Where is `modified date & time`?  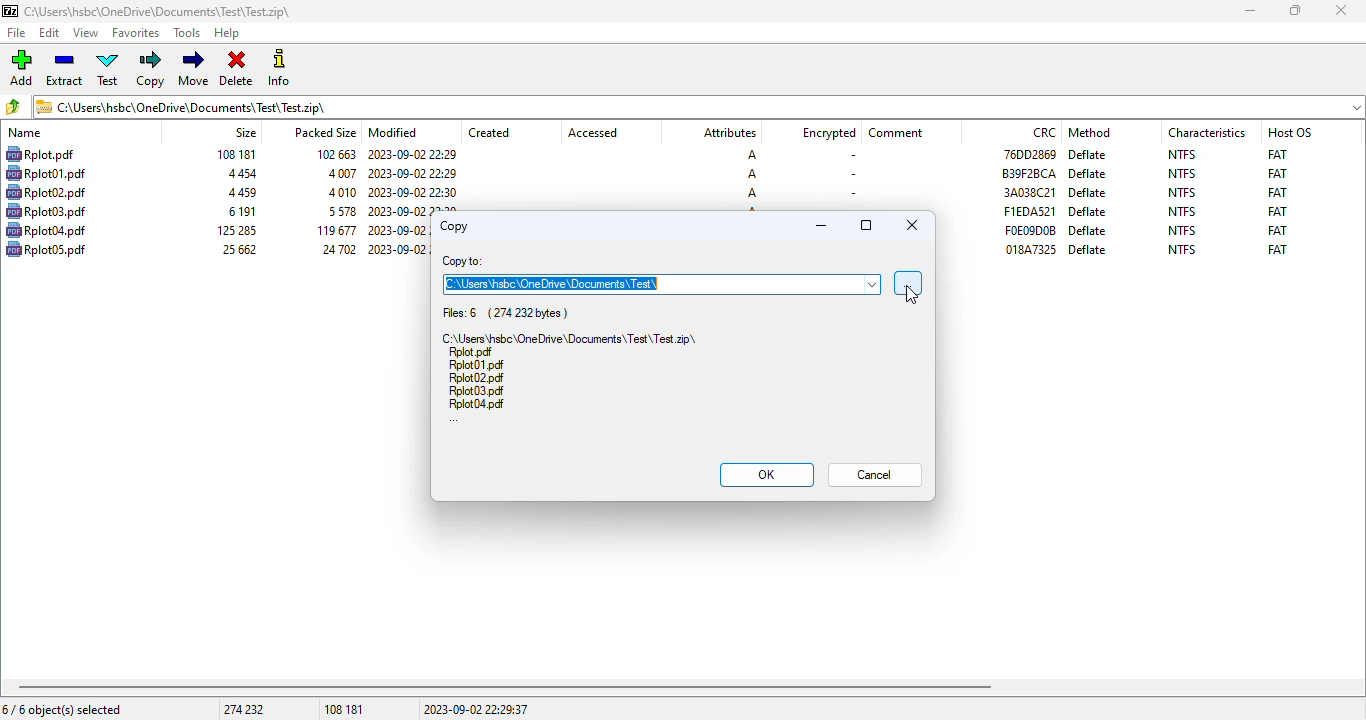 modified date & time is located at coordinates (396, 248).